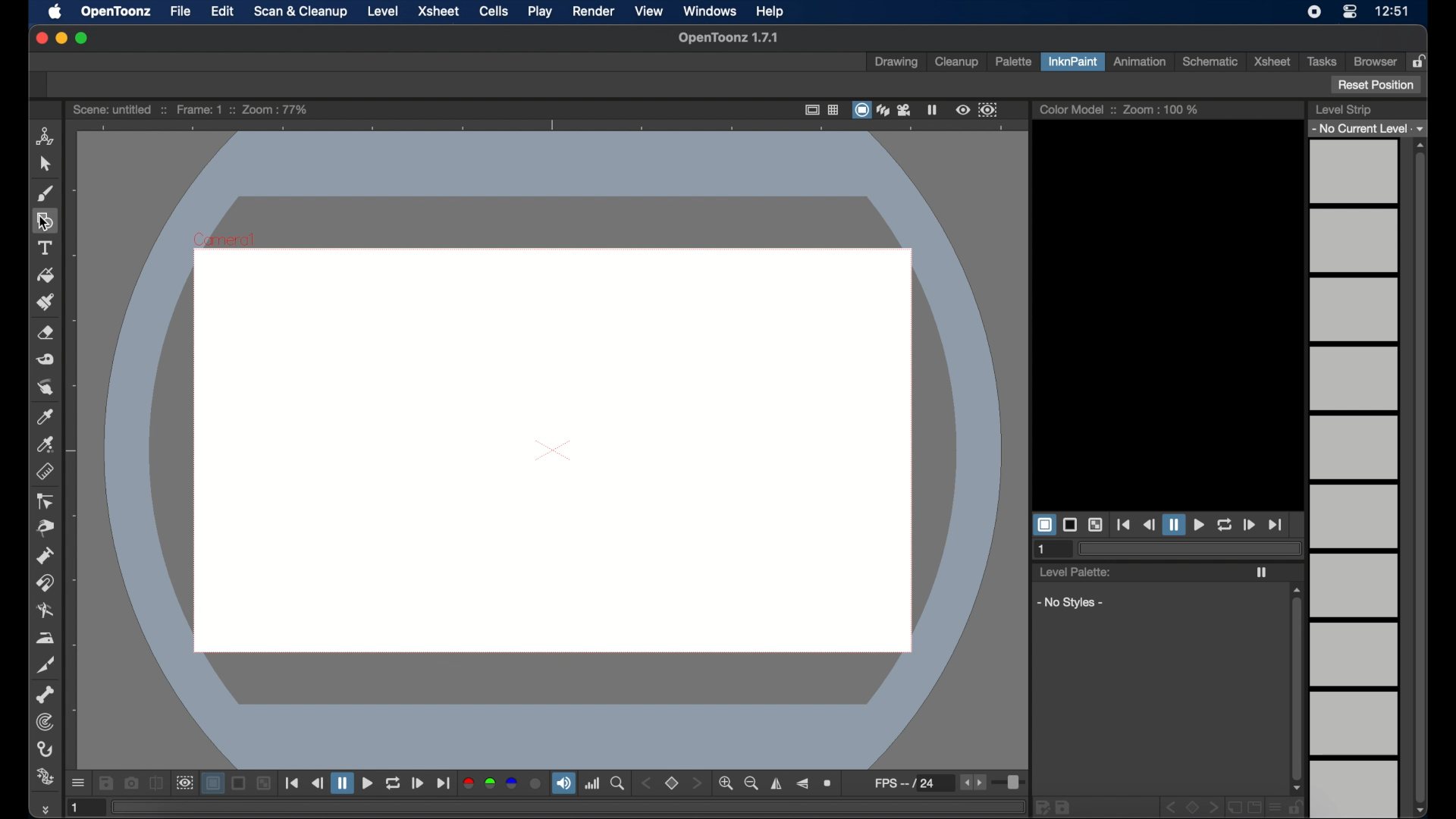 The width and height of the screenshot is (1456, 819). What do you see at coordinates (468, 783) in the screenshot?
I see `red channel` at bounding box center [468, 783].